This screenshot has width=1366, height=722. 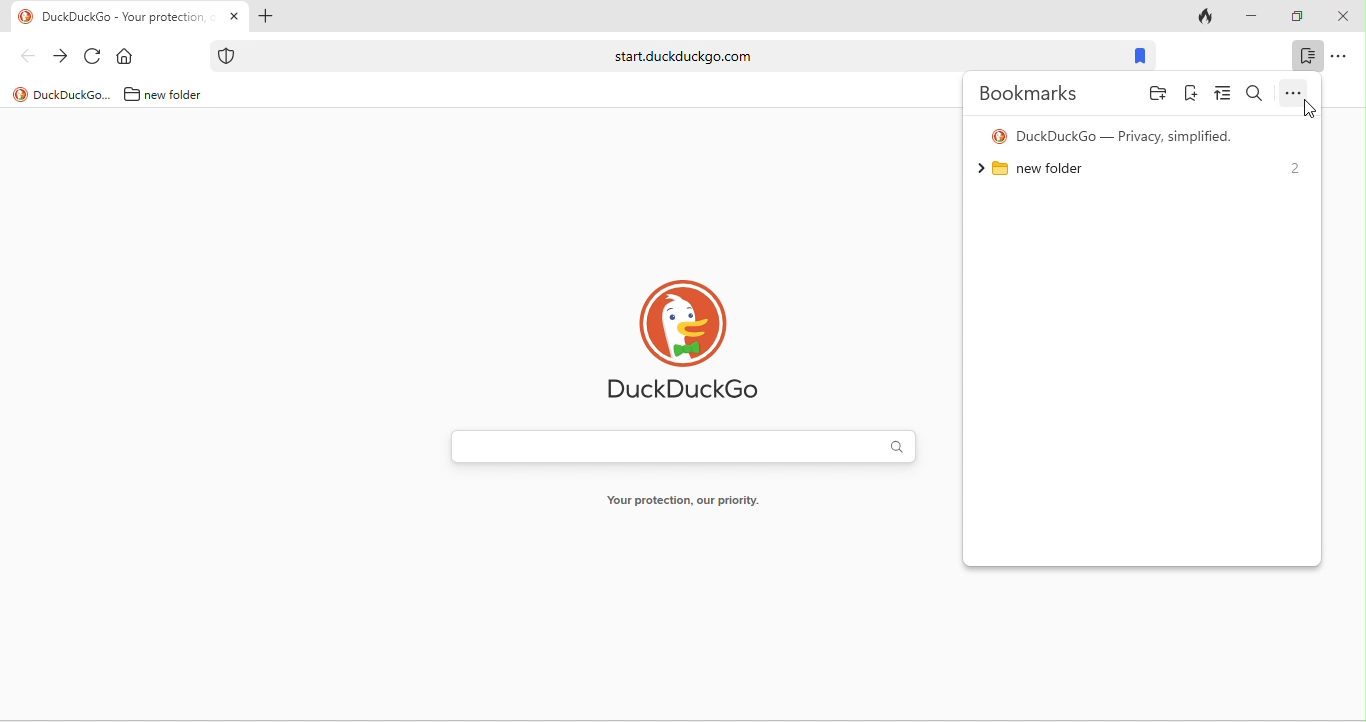 What do you see at coordinates (1254, 93) in the screenshot?
I see `search` at bounding box center [1254, 93].